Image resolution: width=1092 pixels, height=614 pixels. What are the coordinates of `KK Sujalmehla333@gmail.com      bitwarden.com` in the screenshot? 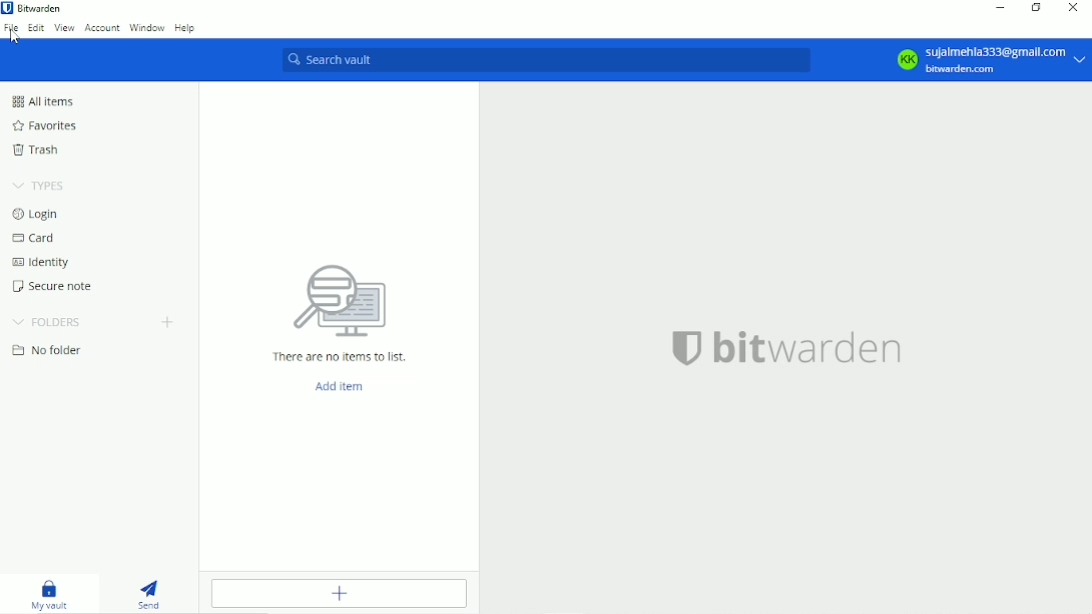 It's located at (990, 60).